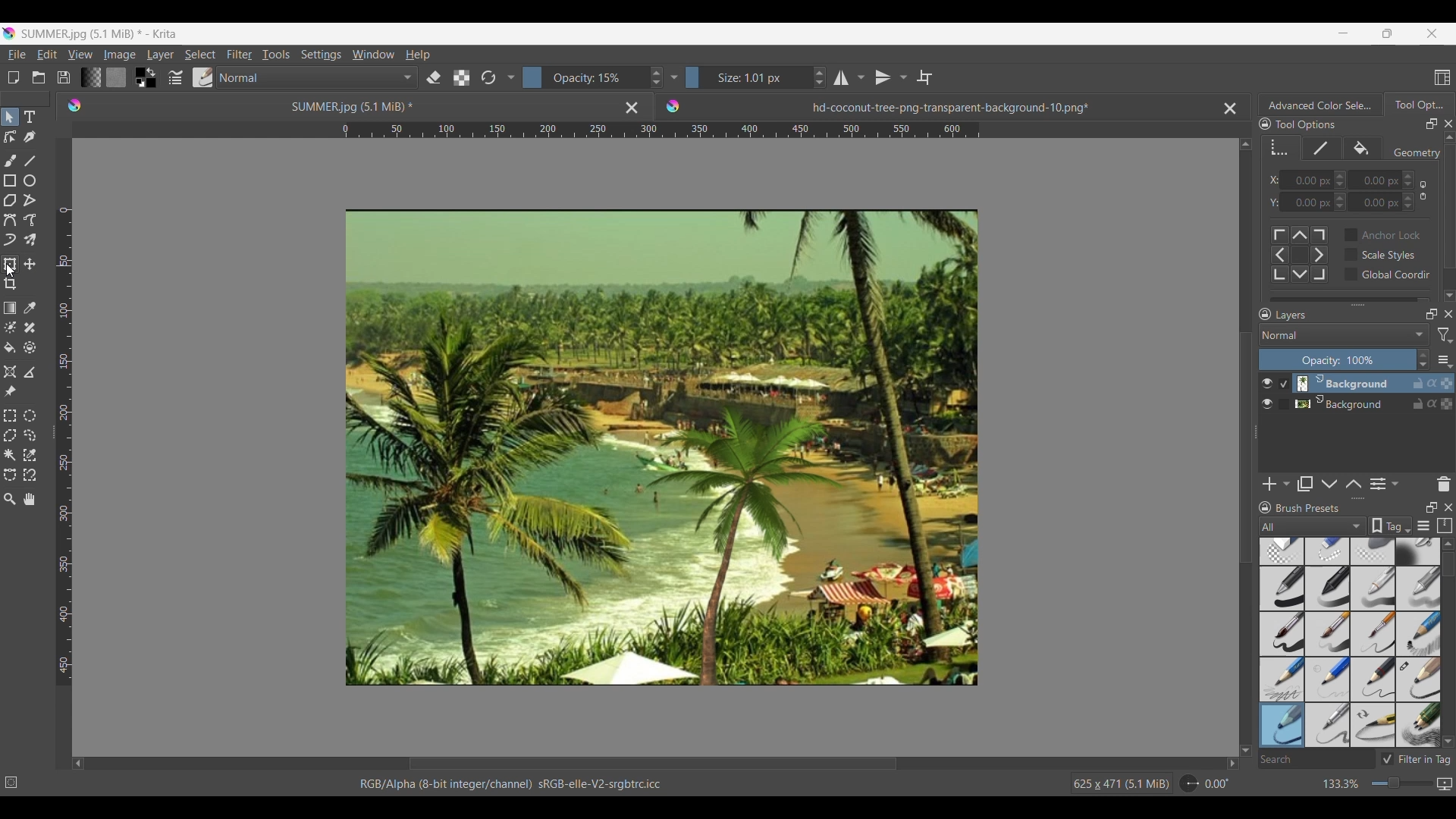  Describe the element at coordinates (1343, 33) in the screenshot. I see `Minimize` at that location.